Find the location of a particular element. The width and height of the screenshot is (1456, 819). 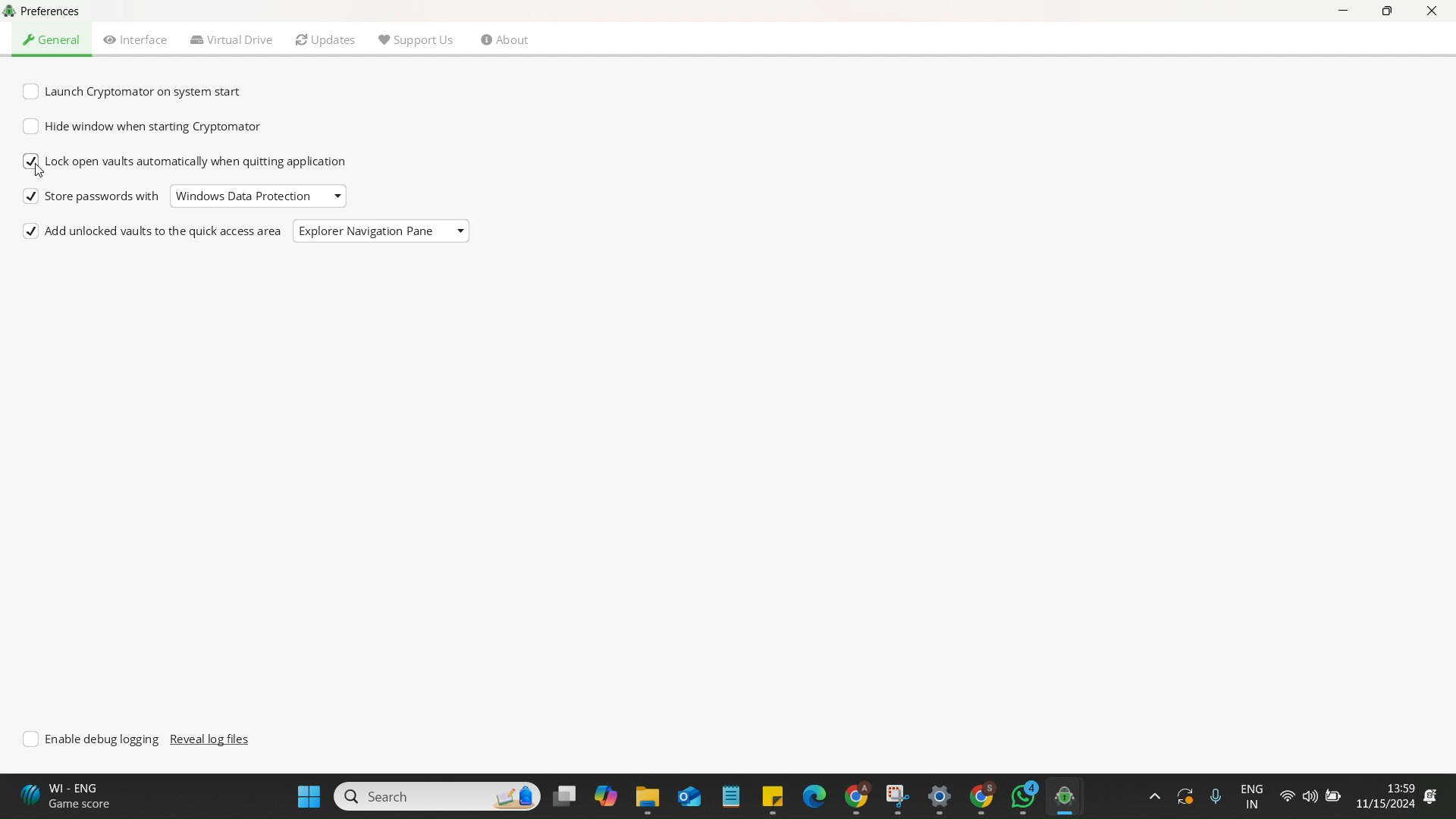

Store Password With is located at coordinates (92, 197).